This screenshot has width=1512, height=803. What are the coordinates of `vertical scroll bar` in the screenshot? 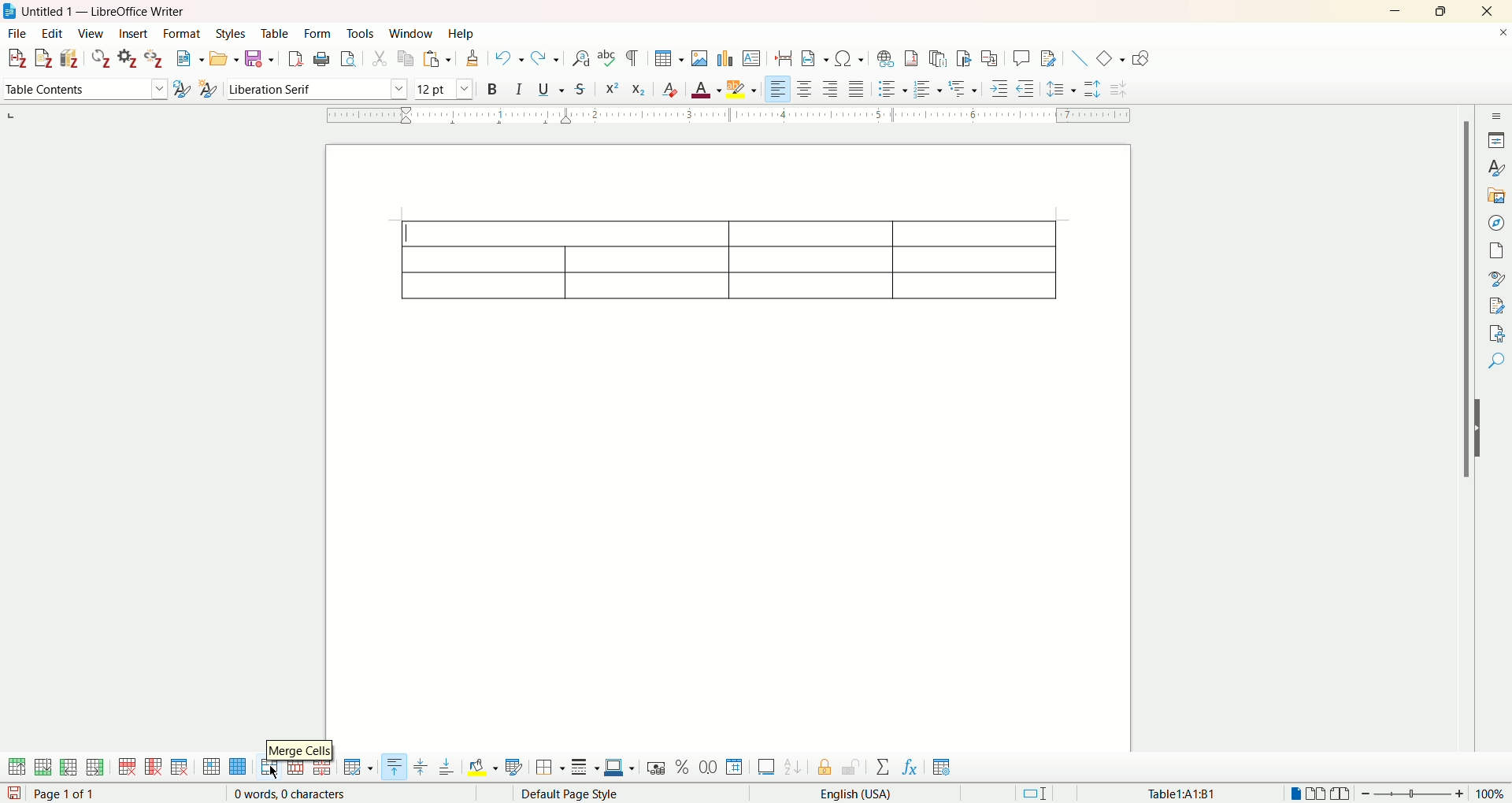 It's located at (1467, 441).